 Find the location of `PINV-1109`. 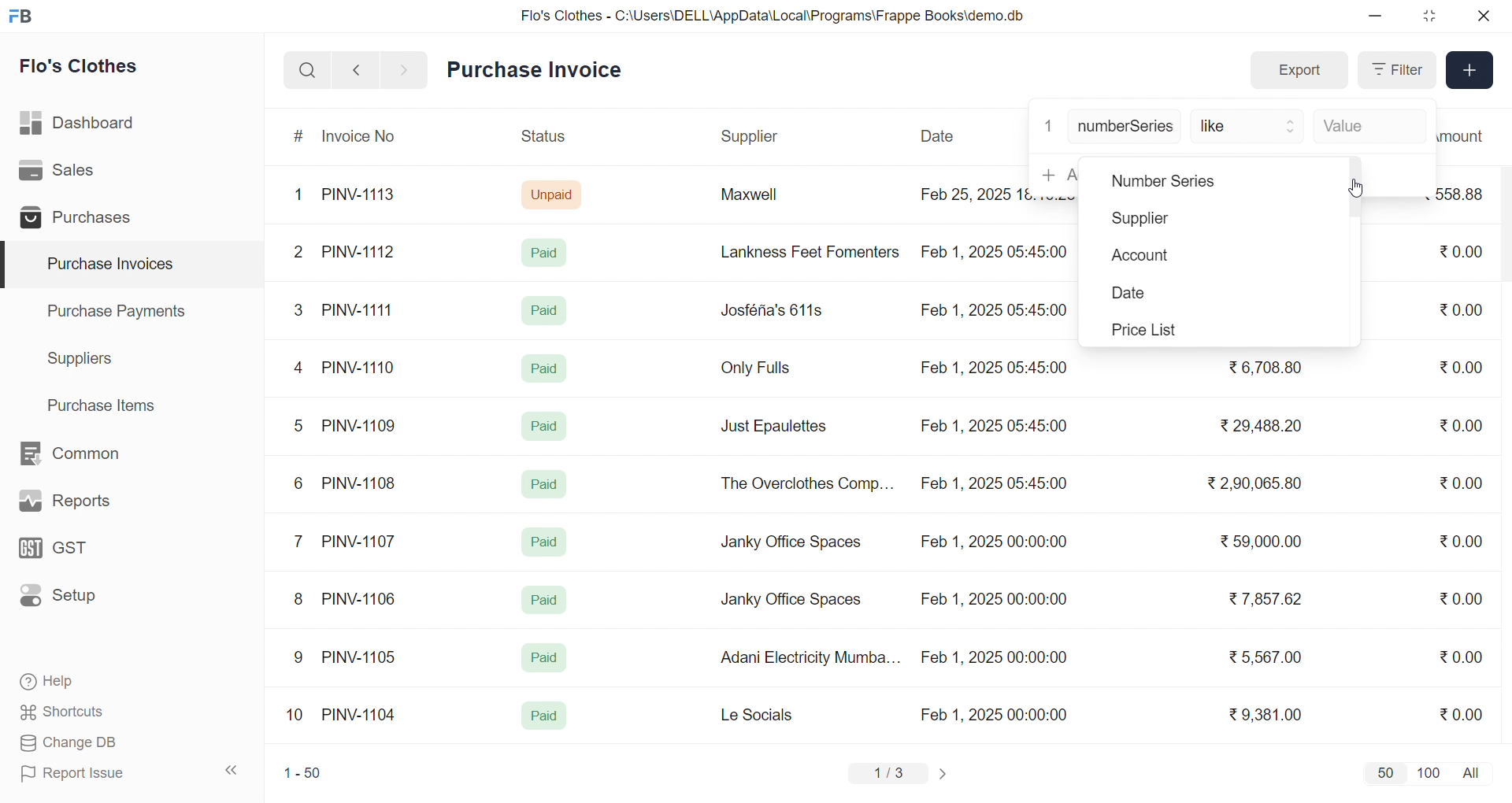

PINV-1109 is located at coordinates (361, 425).